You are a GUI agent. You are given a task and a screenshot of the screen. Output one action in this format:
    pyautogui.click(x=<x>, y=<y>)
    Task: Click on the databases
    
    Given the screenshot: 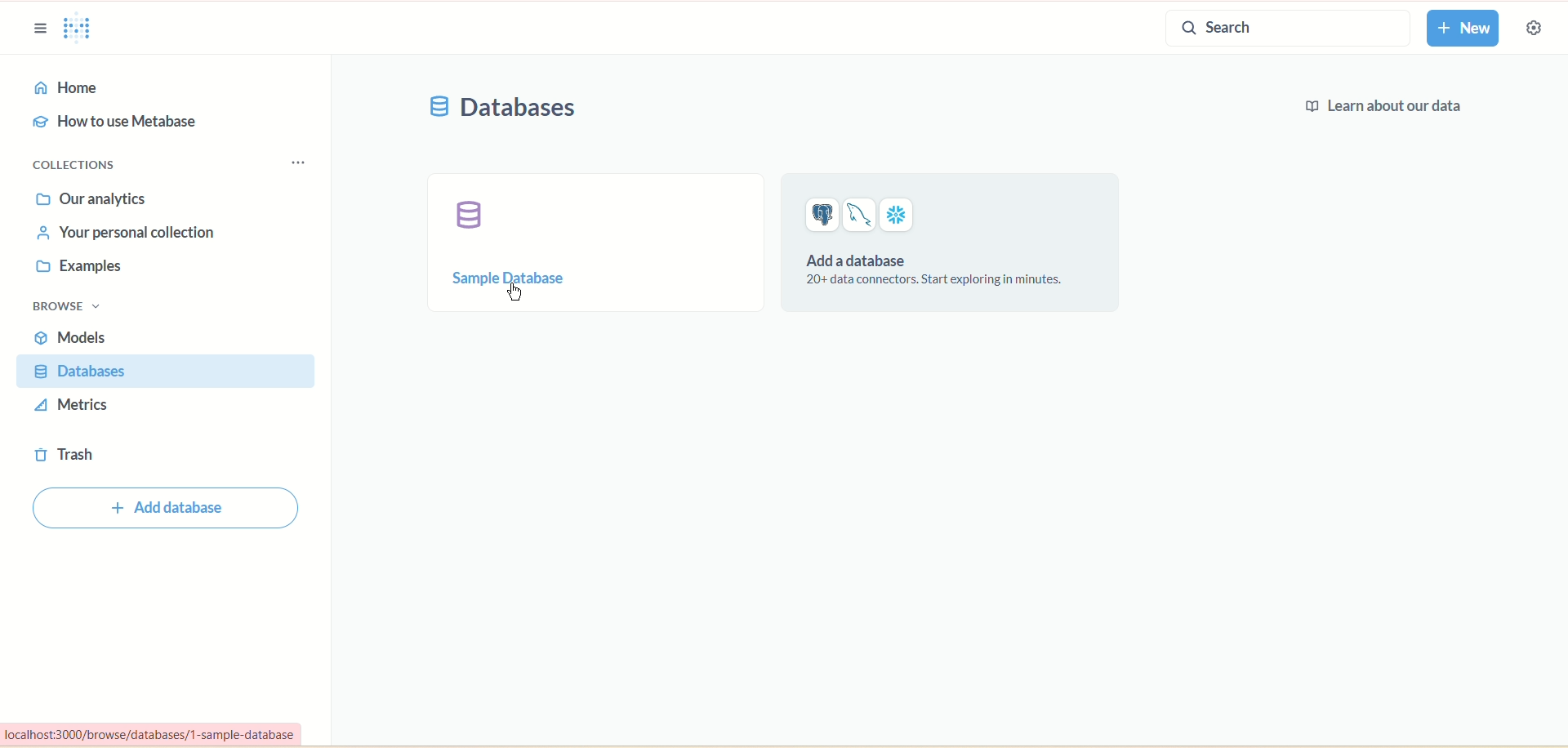 What is the action you would take?
    pyautogui.click(x=506, y=110)
    